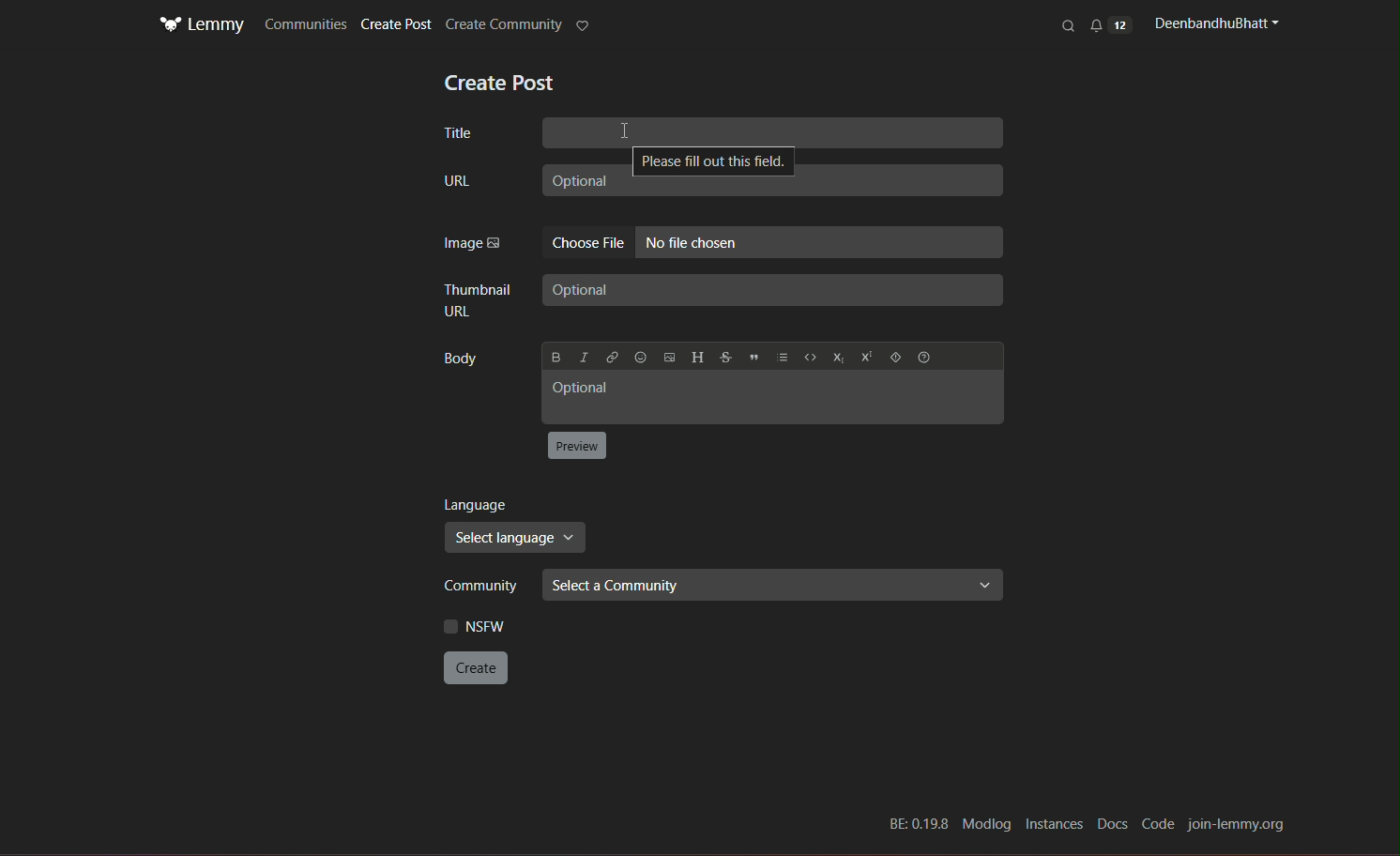 The image size is (1400, 856). Describe the element at coordinates (695, 357) in the screenshot. I see `Header` at that location.